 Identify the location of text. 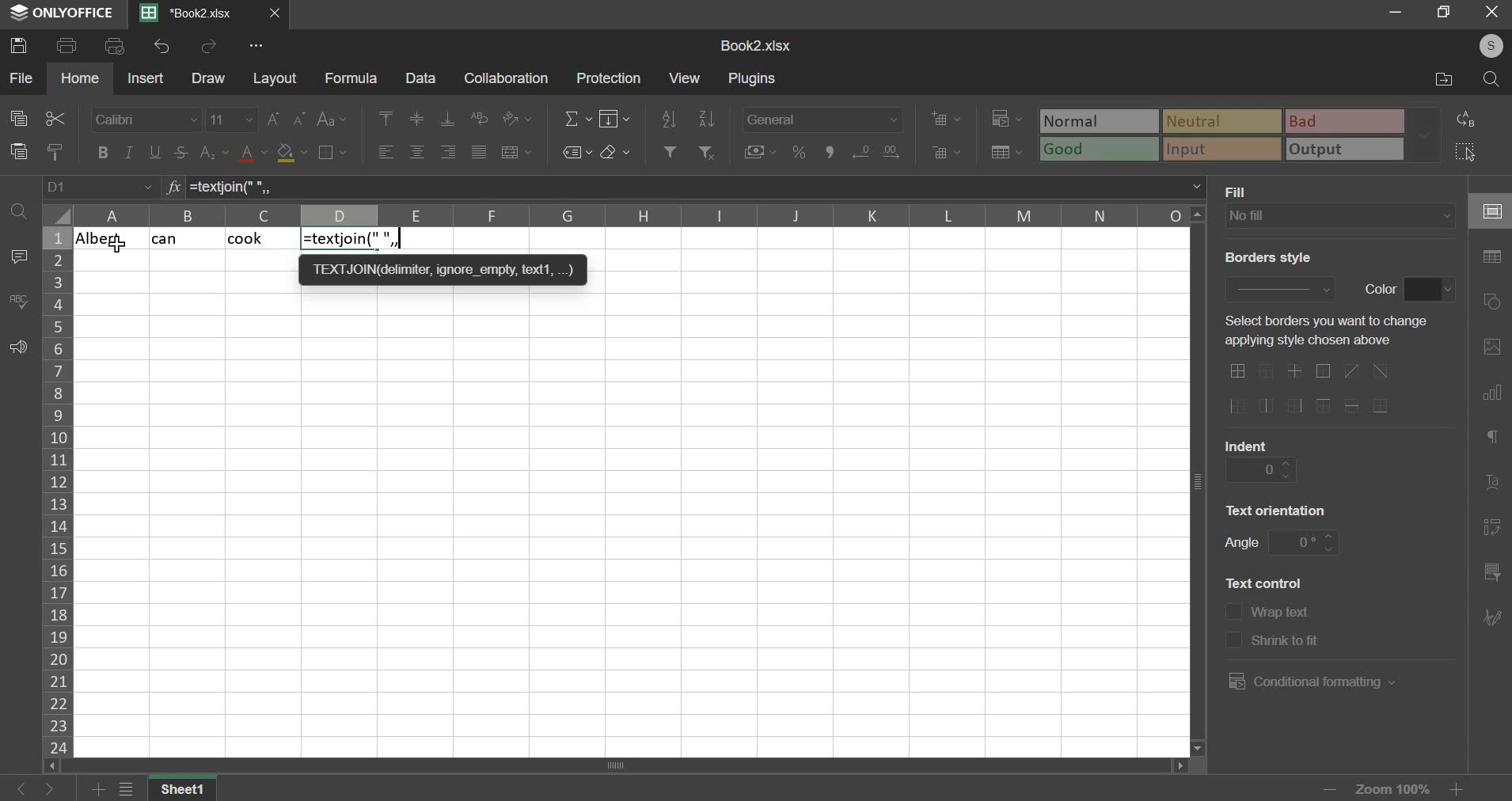
(1247, 443).